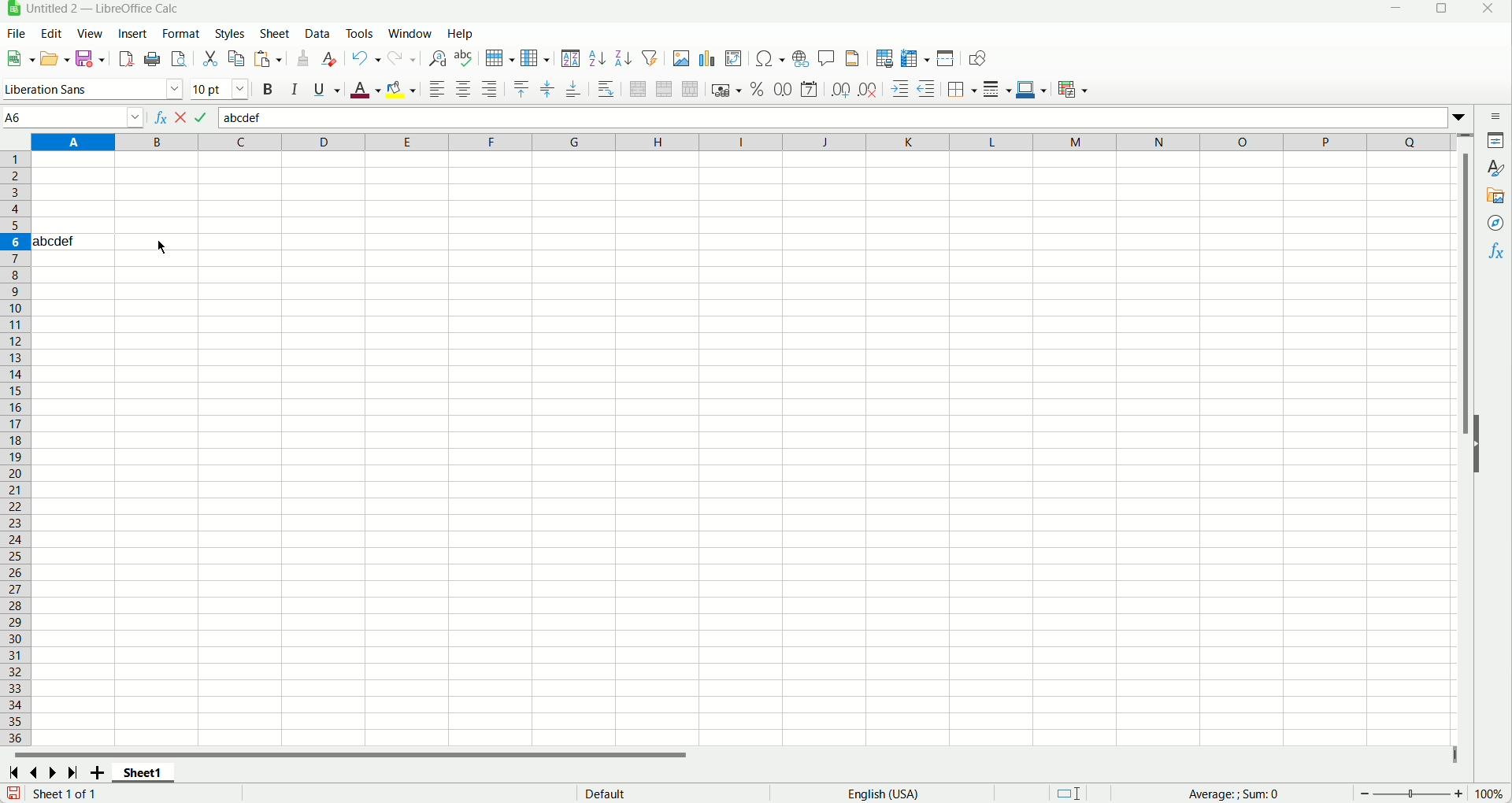 Image resolution: width=1512 pixels, height=803 pixels. Describe the element at coordinates (827, 60) in the screenshot. I see `comments` at that location.